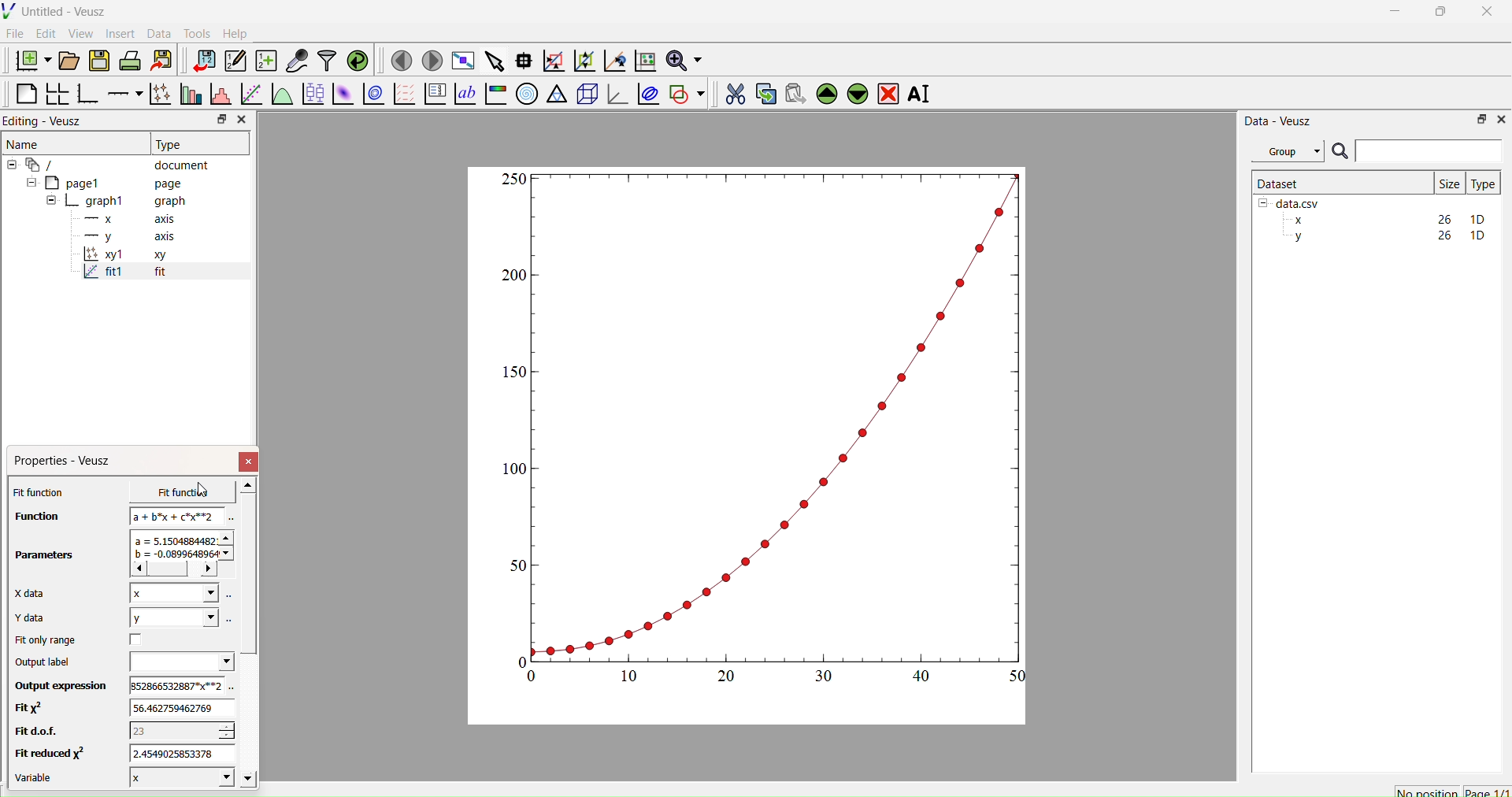  I want to click on Select using dataset browser, so click(229, 519).